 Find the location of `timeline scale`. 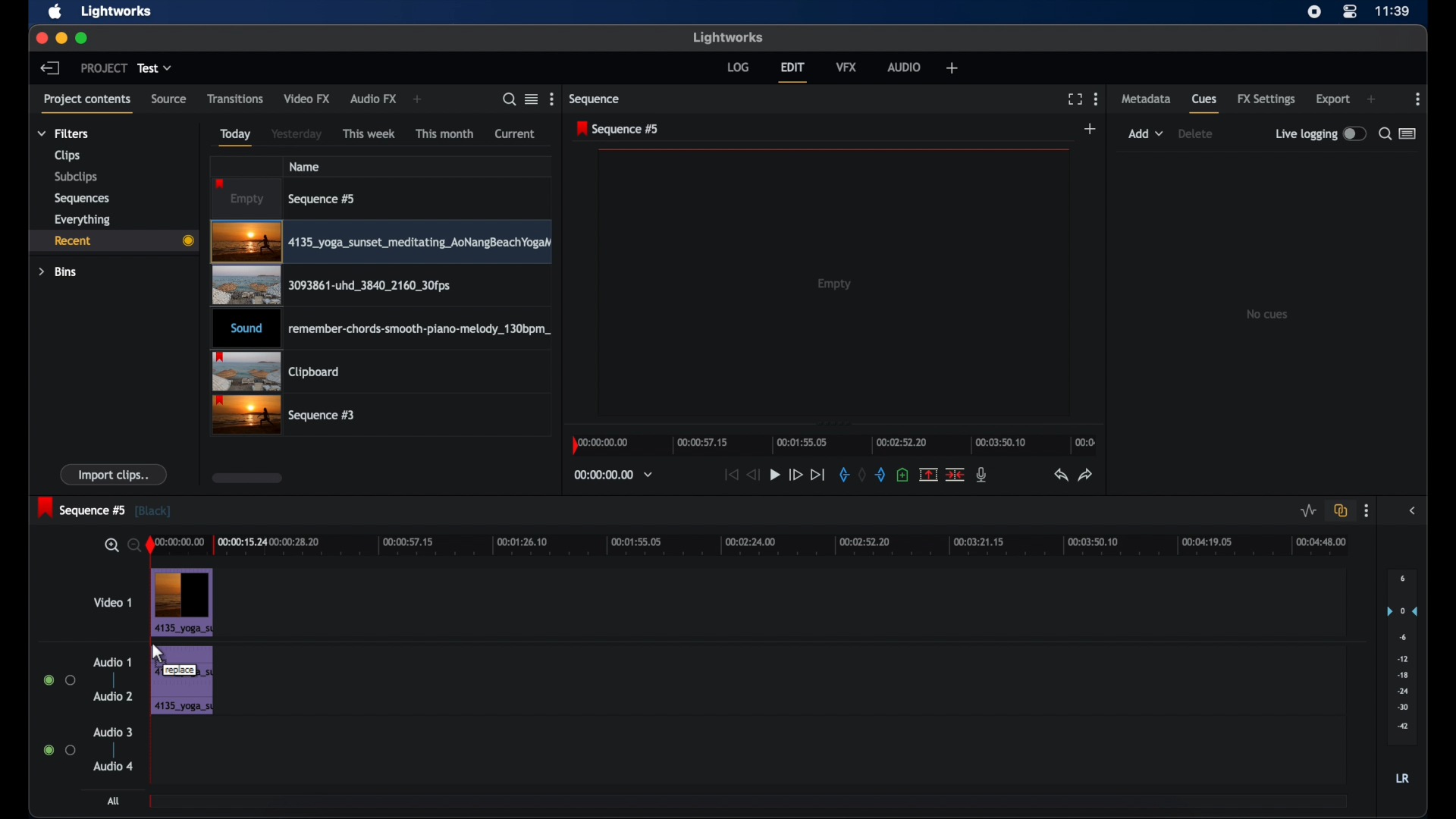

timeline scale is located at coordinates (833, 444).